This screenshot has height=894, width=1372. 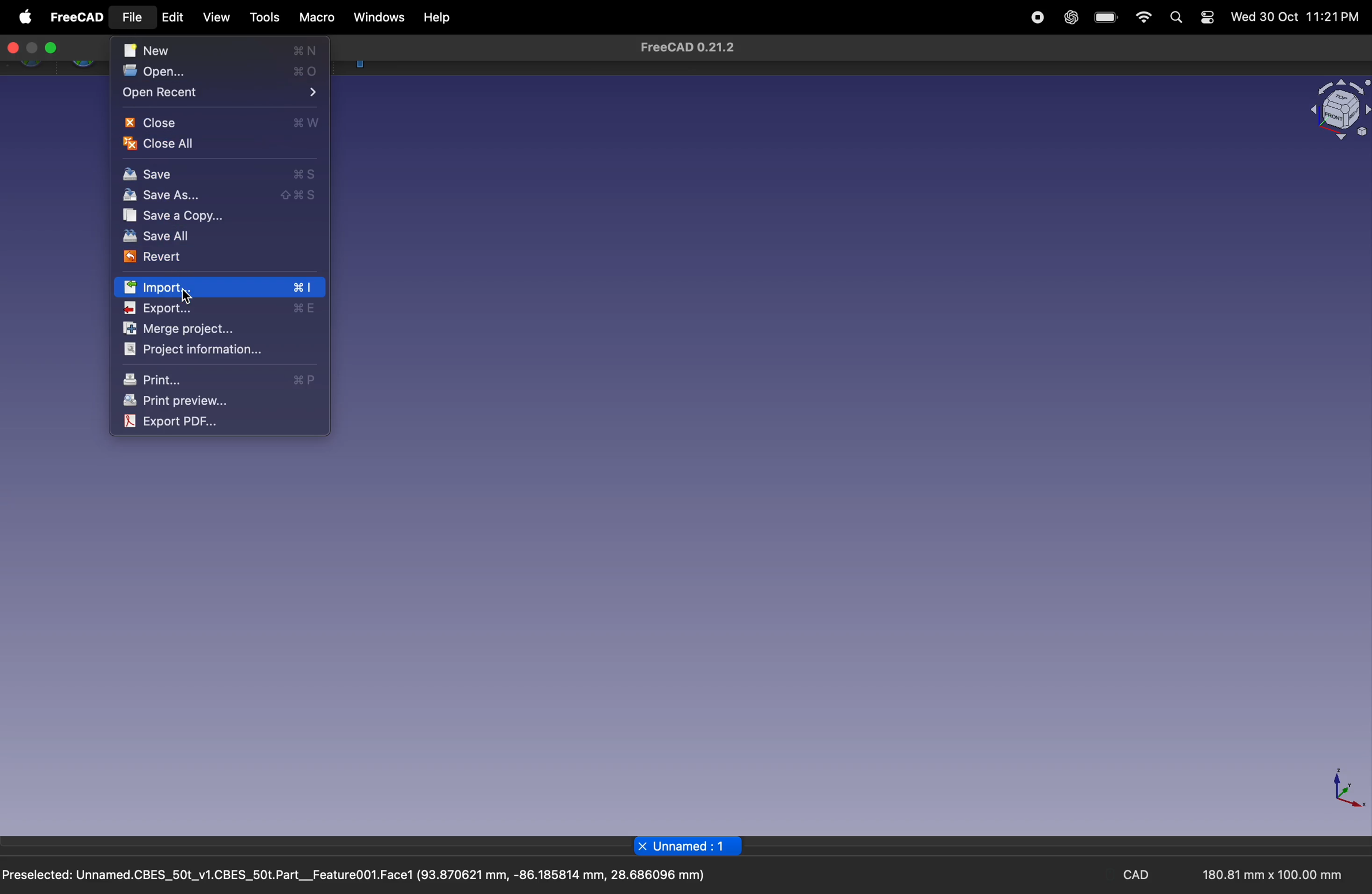 What do you see at coordinates (1137, 876) in the screenshot?
I see `CAD` at bounding box center [1137, 876].